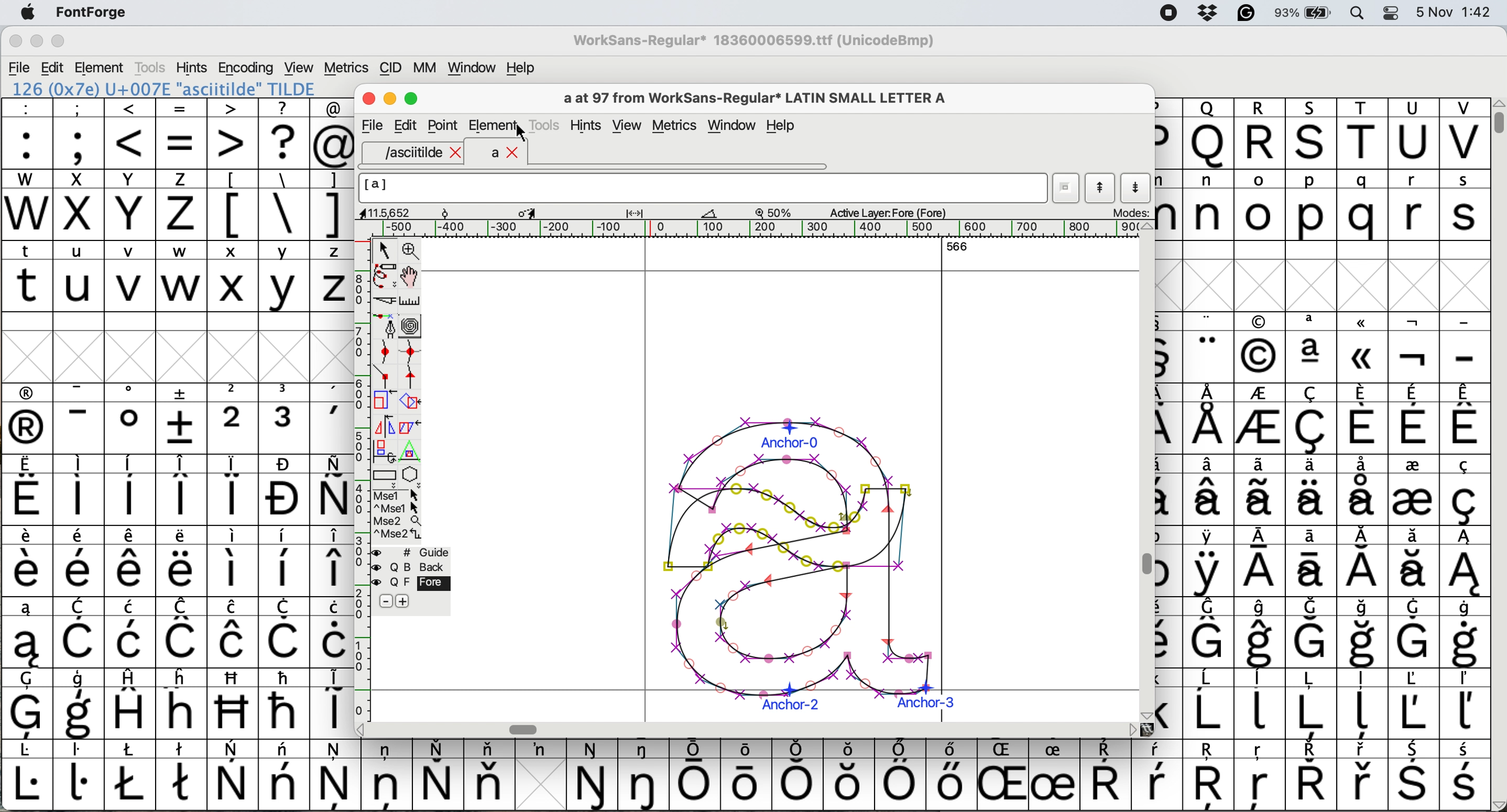 The height and width of the screenshot is (812, 1507). Describe the element at coordinates (410, 452) in the screenshot. I see `perform a perspective transformation on selection` at that location.